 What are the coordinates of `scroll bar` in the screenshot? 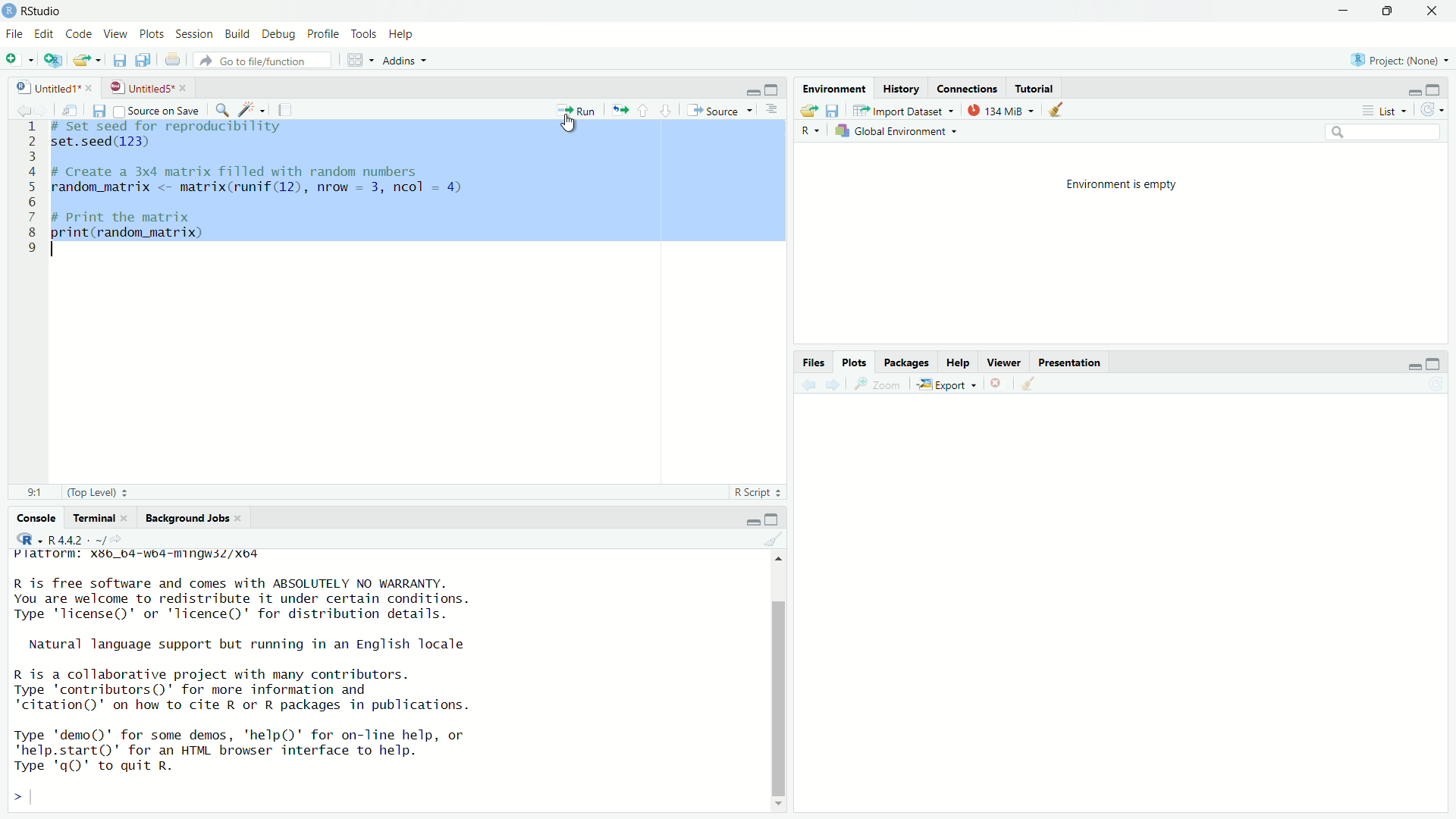 It's located at (780, 684).